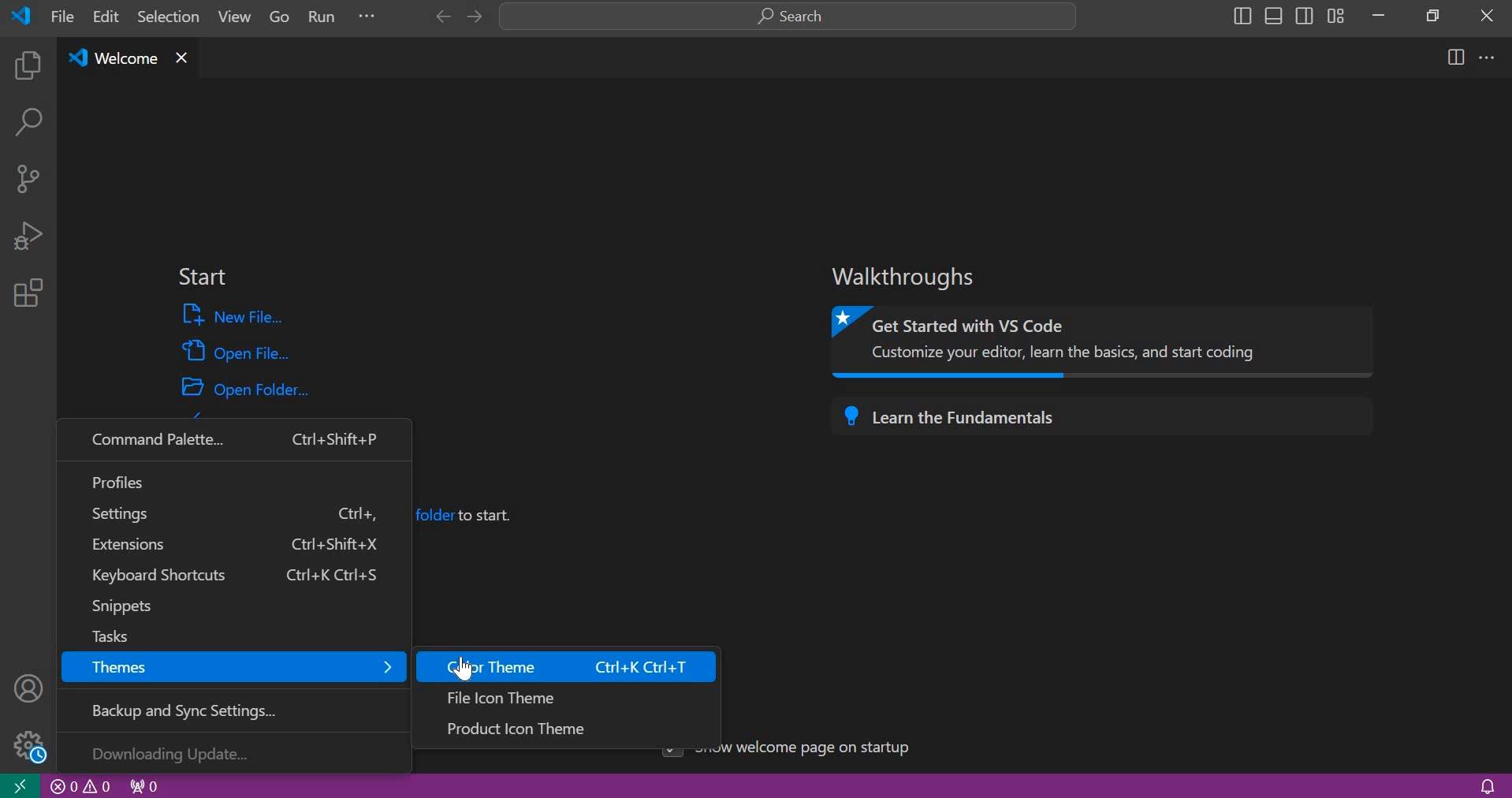  I want to click on file, so click(62, 16).